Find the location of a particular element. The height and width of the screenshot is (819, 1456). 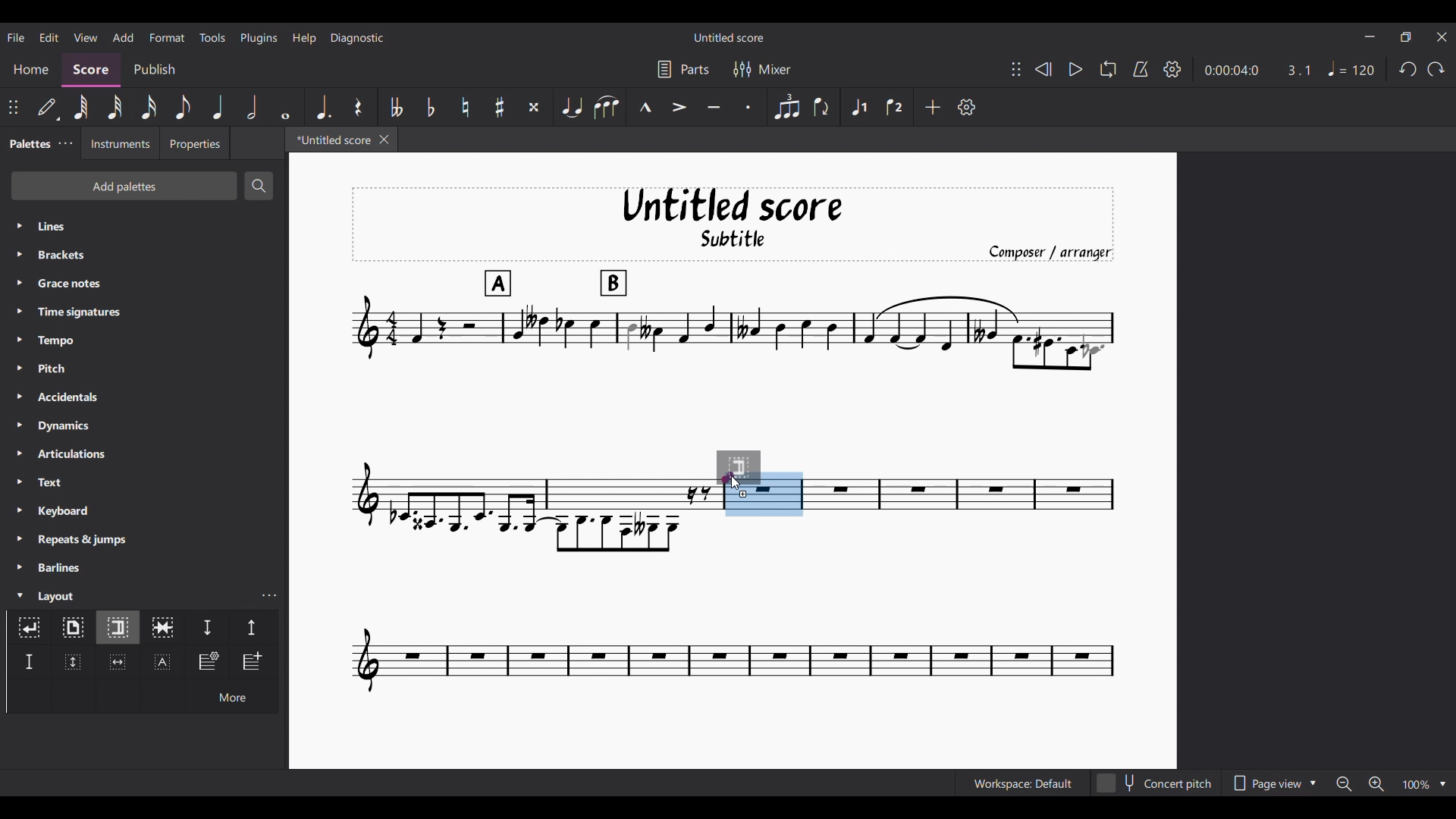

Repeats and jumps is located at coordinates (143, 540).